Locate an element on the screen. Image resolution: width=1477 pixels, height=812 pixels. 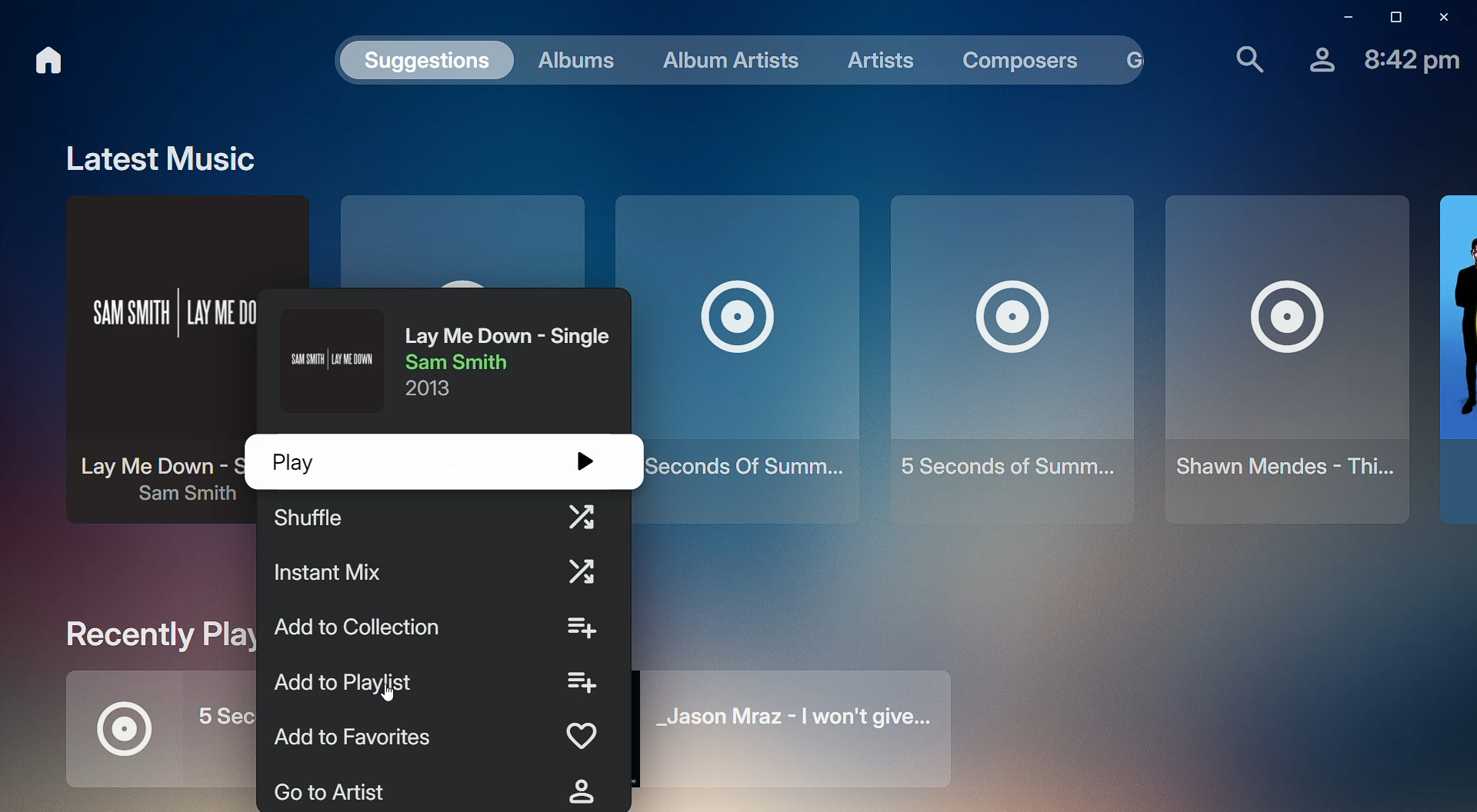
Instant Mix is located at coordinates (438, 574).